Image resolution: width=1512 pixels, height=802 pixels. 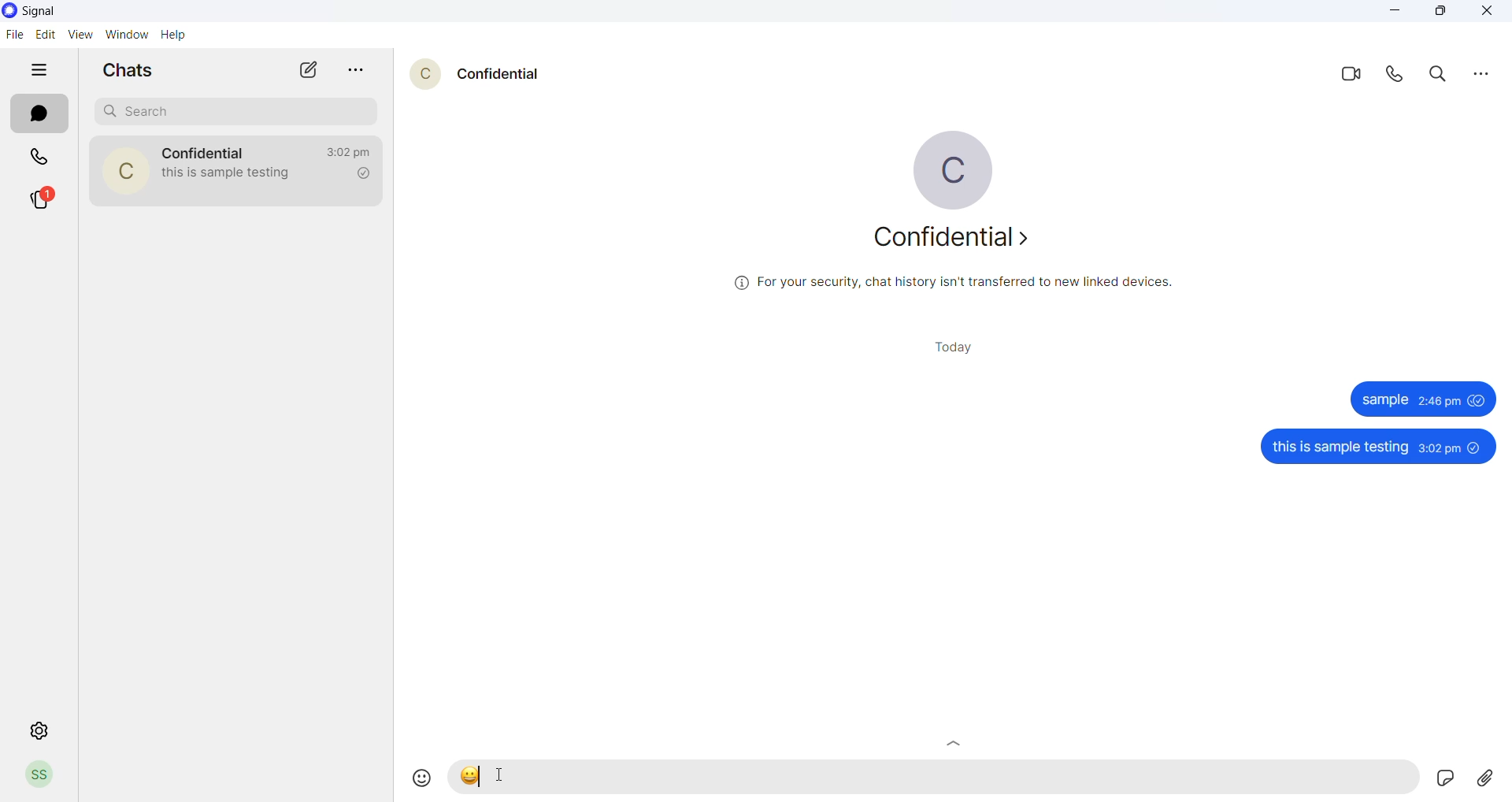 I want to click on stories, so click(x=43, y=199).